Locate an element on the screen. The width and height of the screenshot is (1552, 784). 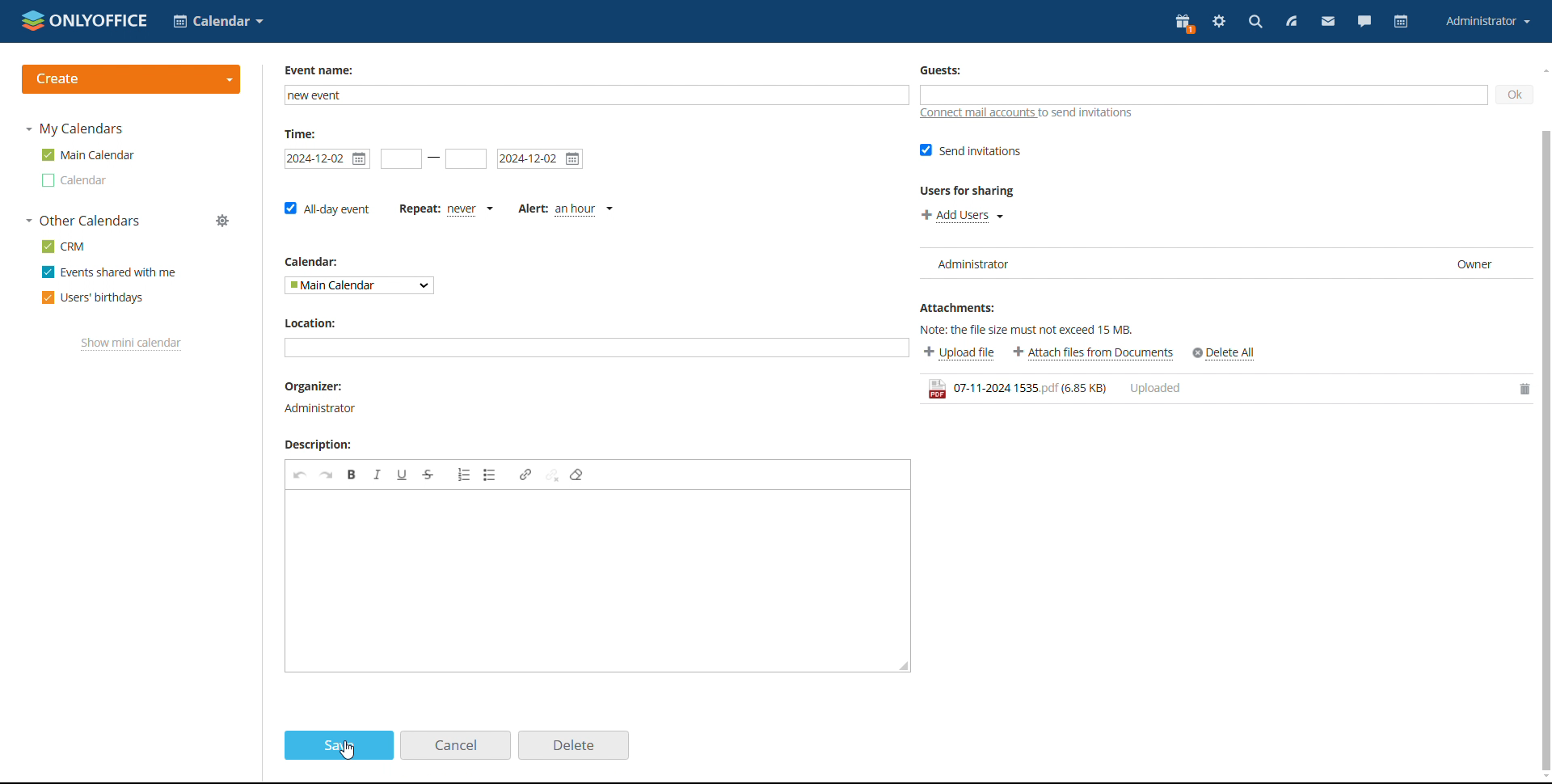
end date is located at coordinates (467, 157).